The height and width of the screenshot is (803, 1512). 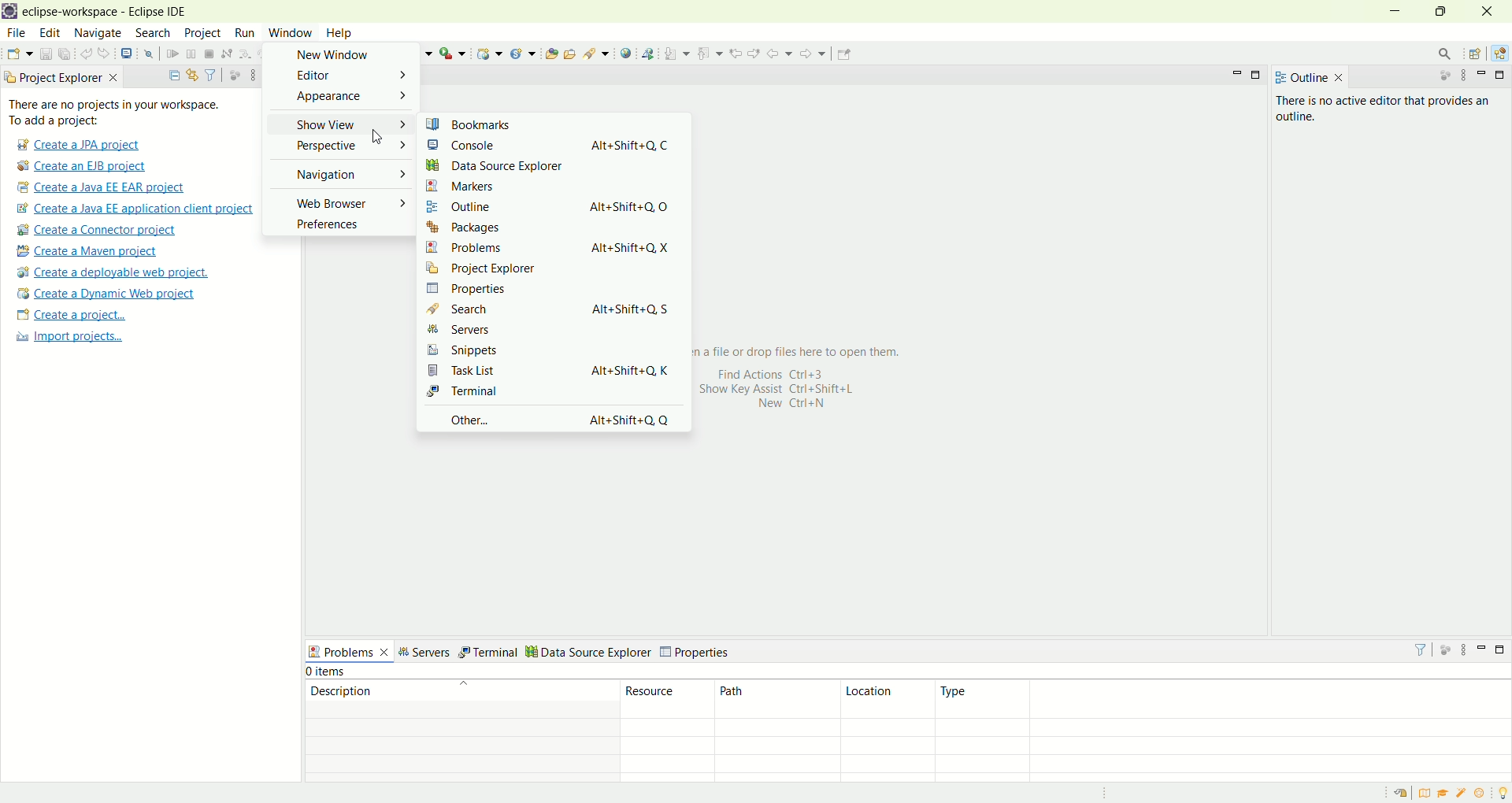 I want to click on snippets, so click(x=488, y=350).